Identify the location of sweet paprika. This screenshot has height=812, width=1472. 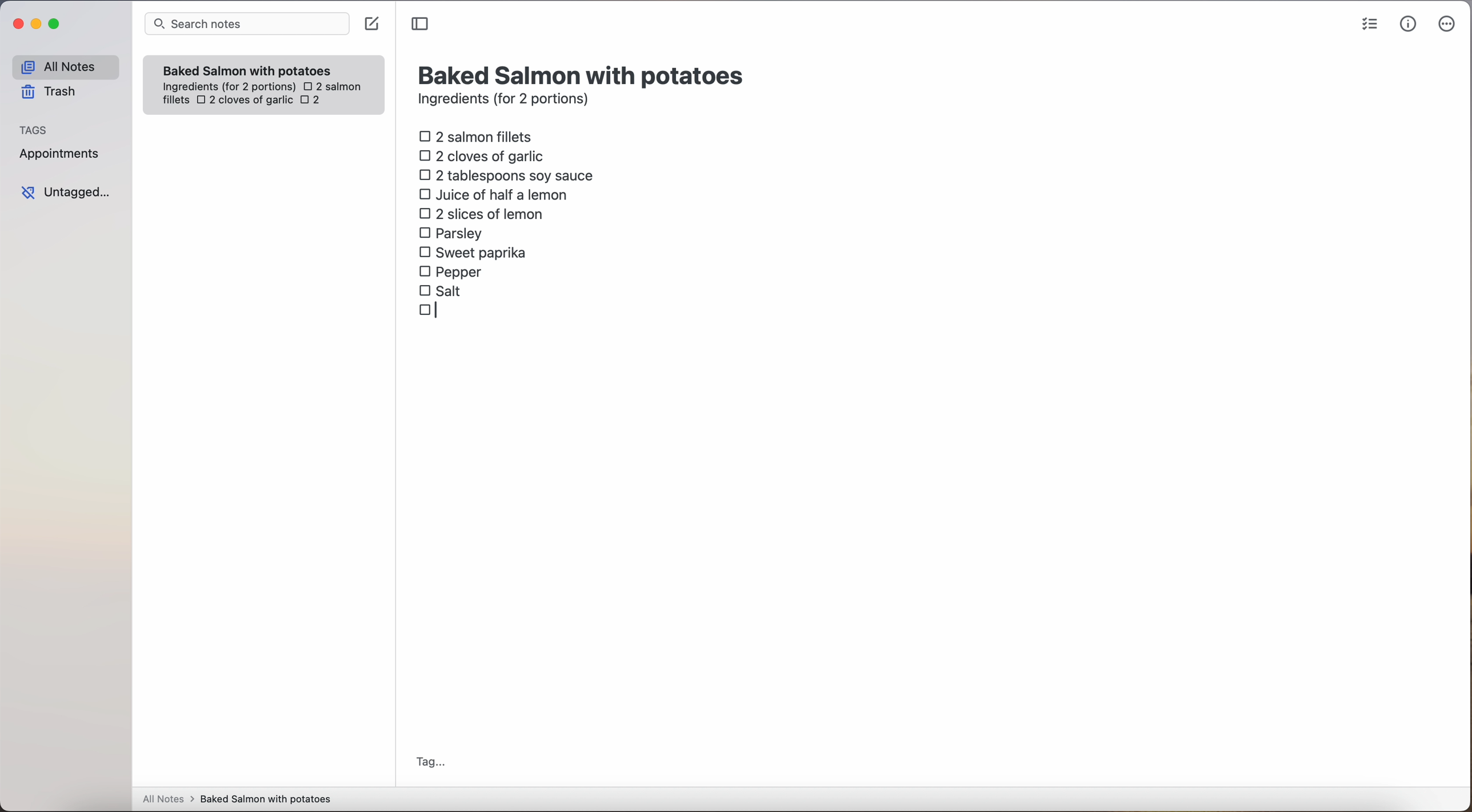
(475, 253).